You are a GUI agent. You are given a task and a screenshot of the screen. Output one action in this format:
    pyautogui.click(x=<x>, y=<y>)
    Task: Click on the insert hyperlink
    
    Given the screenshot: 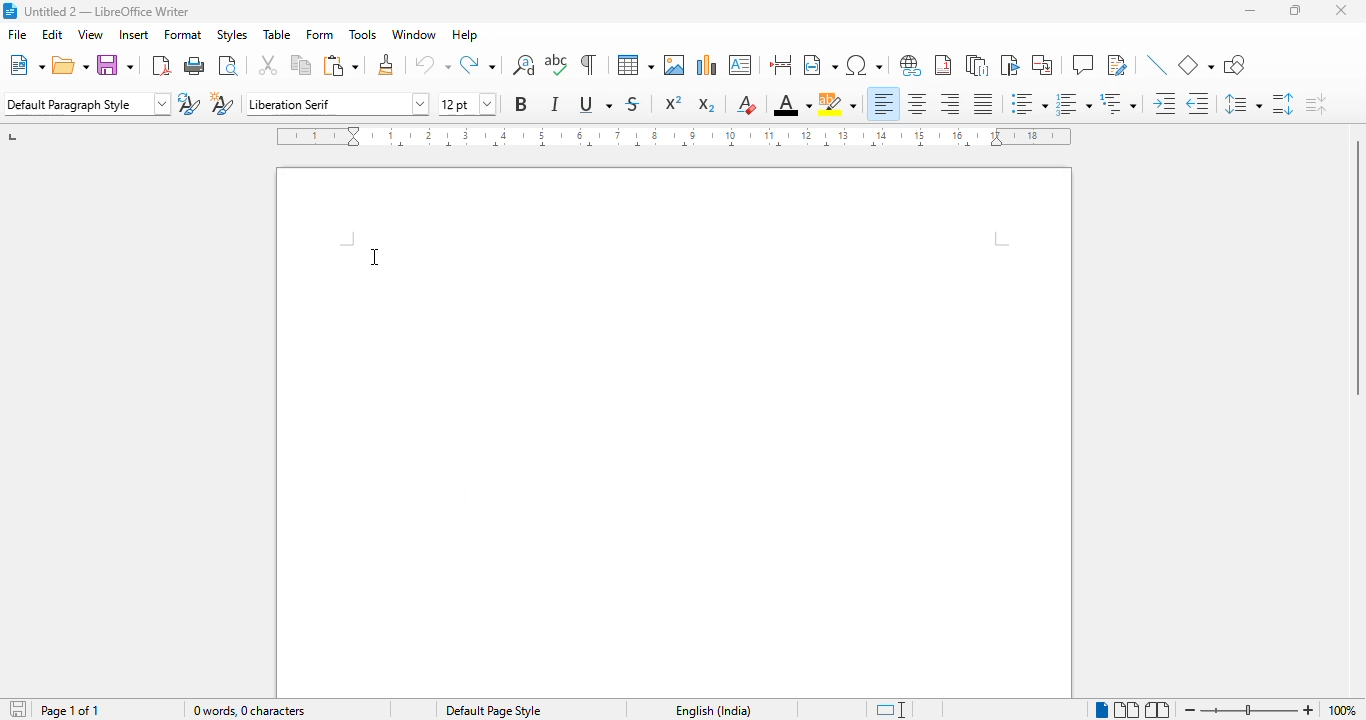 What is the action you would take?
    pyautogui.click(x=911, y=65)
    